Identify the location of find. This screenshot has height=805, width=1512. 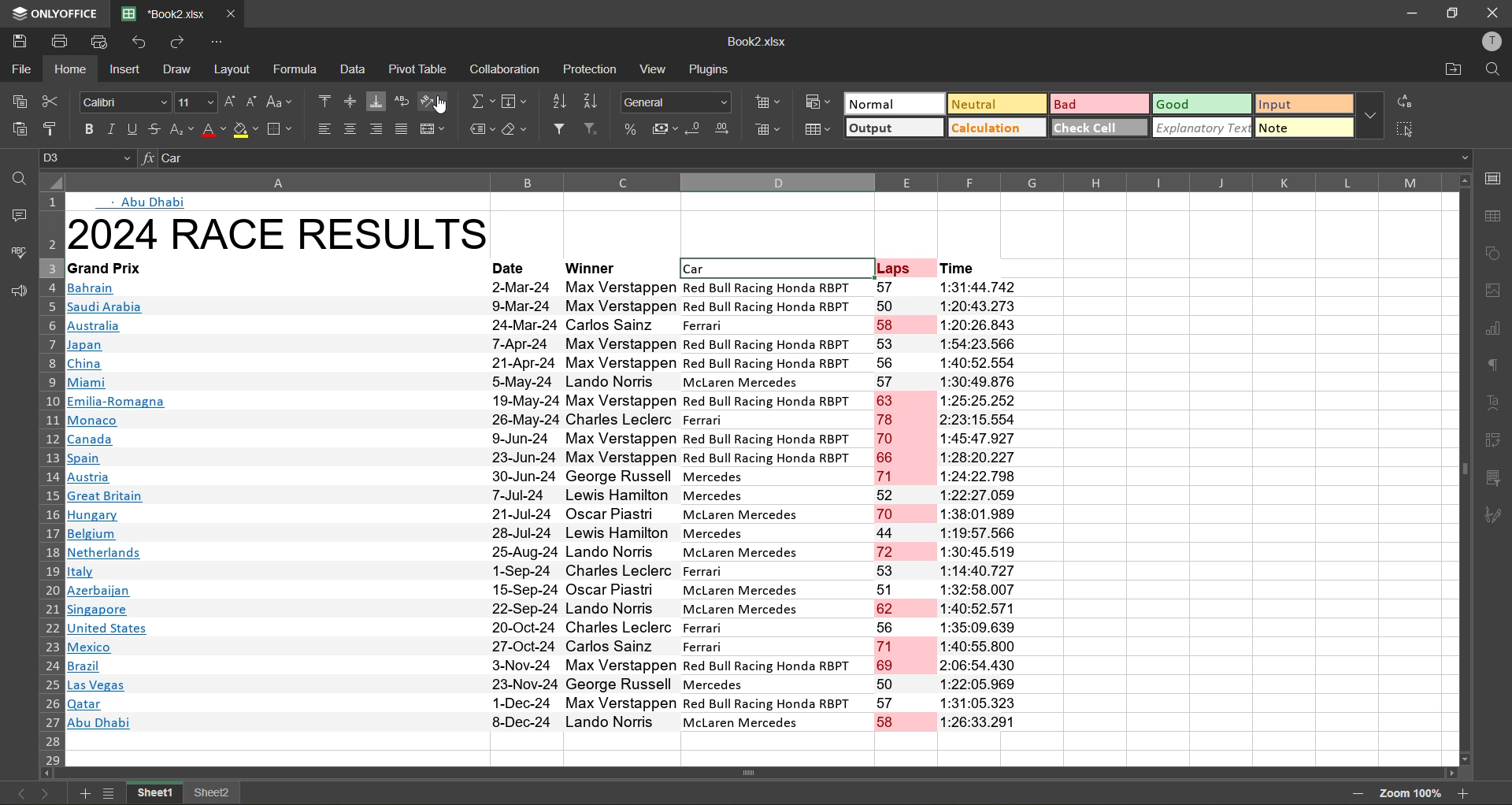
(24, 182).